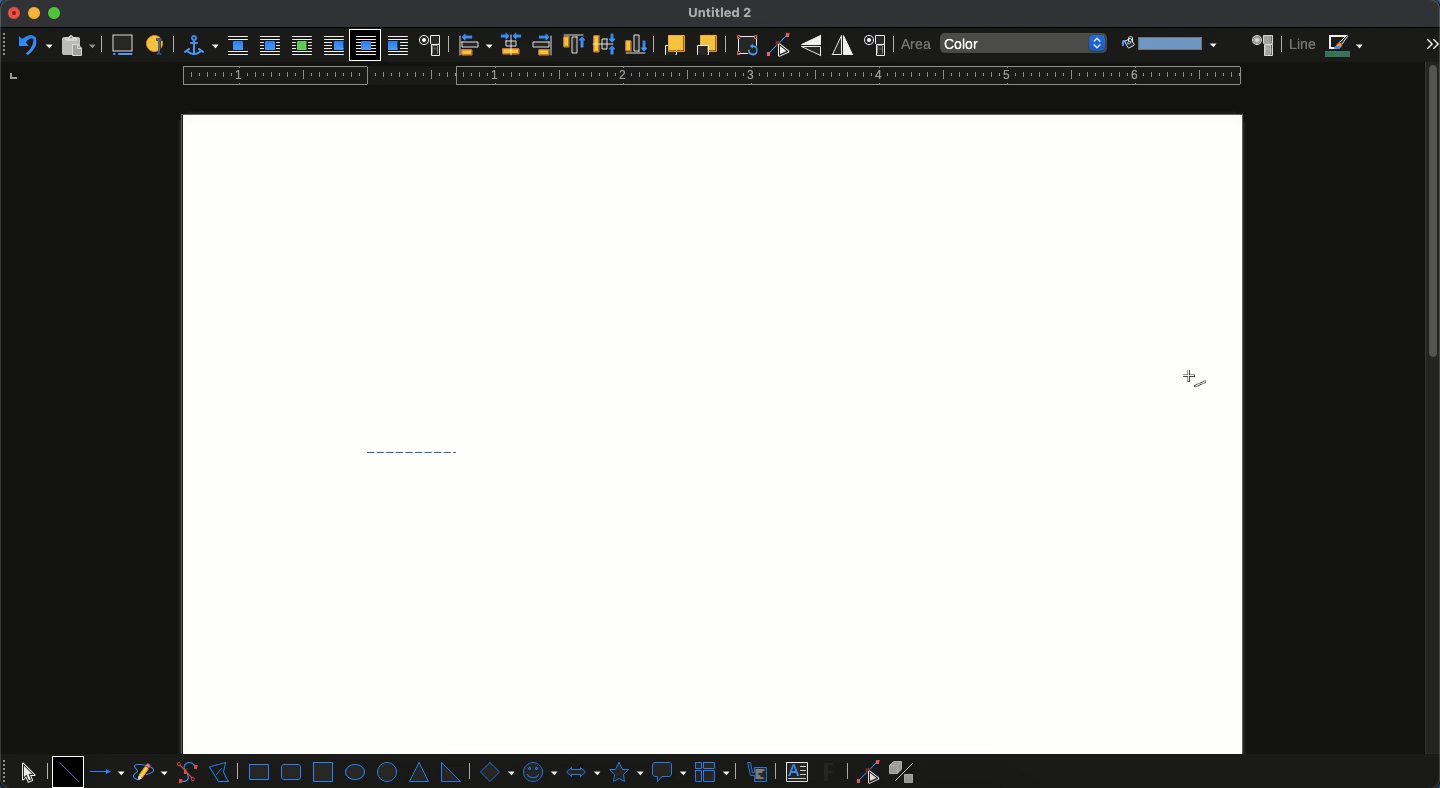 The width and height of the screenshot is (1440, 788). What do you see at coordinates (832, 771) in the screenshot?
I see `footwork text` at bounding box center [832, 771].